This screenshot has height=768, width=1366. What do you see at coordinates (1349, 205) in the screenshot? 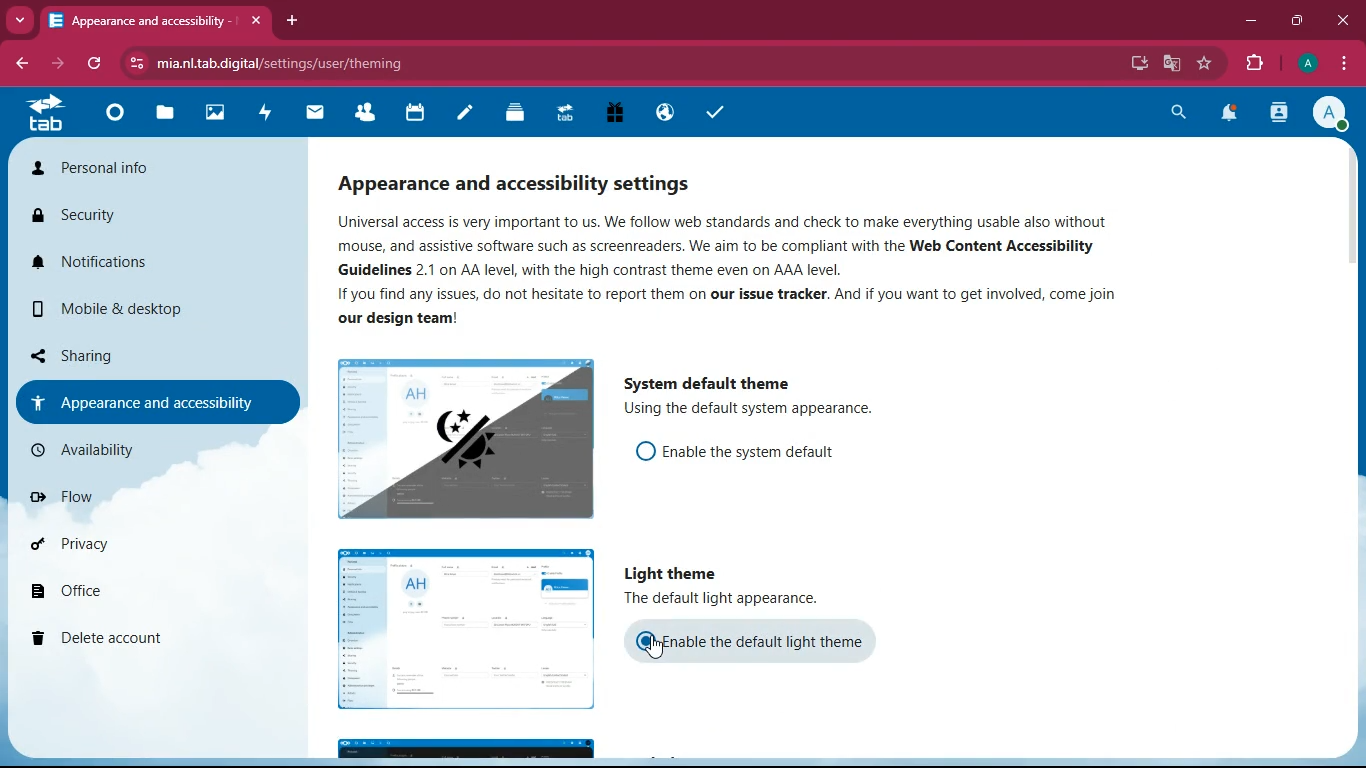
I see `scroll` at bounding box center [1349, 205].